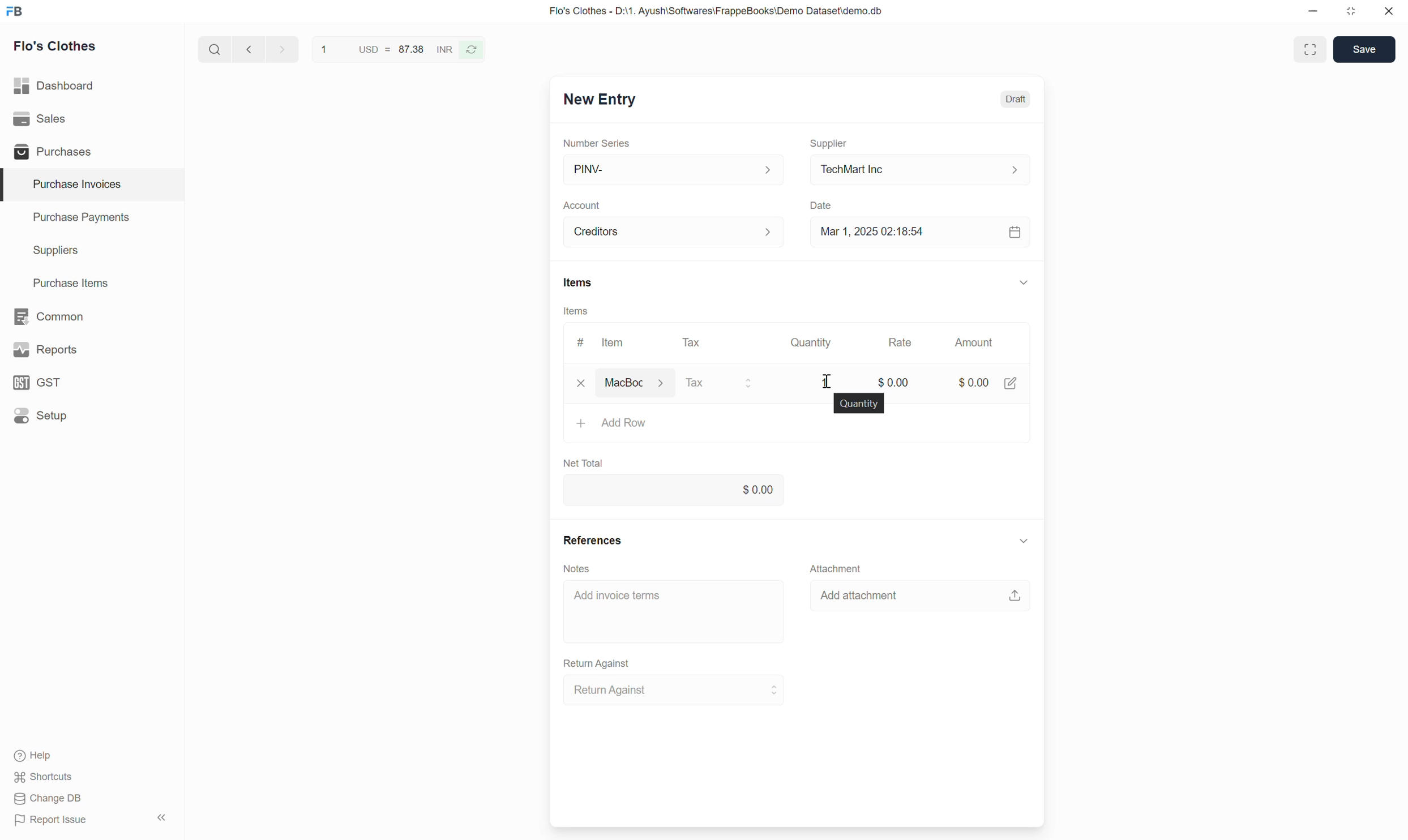 The height and width of the screenshot is (840, 1408). Describe the element at coordinates (602, 342) in the screenshot. I see `# Item` at that location.